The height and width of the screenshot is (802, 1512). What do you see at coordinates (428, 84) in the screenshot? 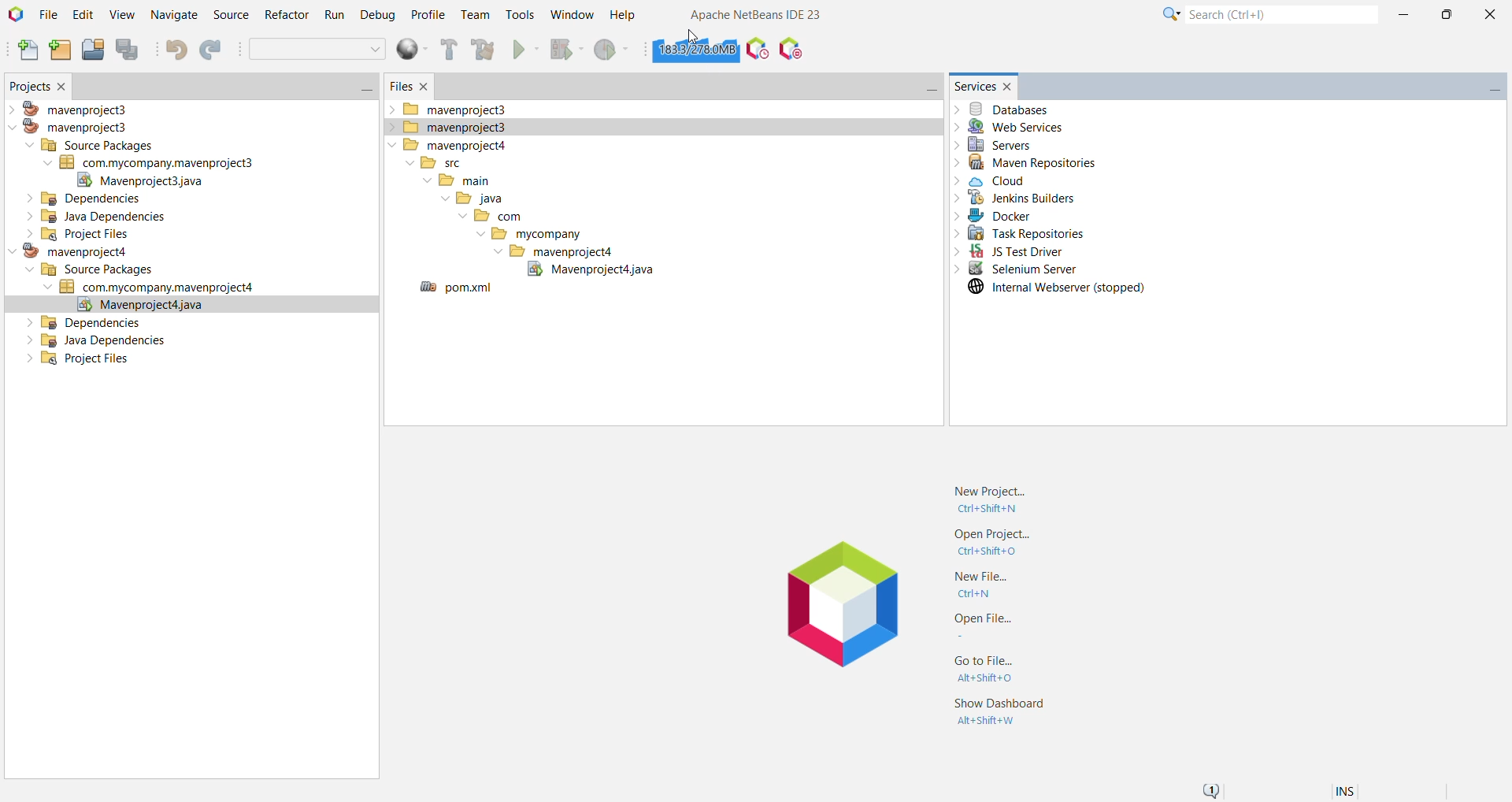
I see `Close Window` at bounding box center [428, 84].